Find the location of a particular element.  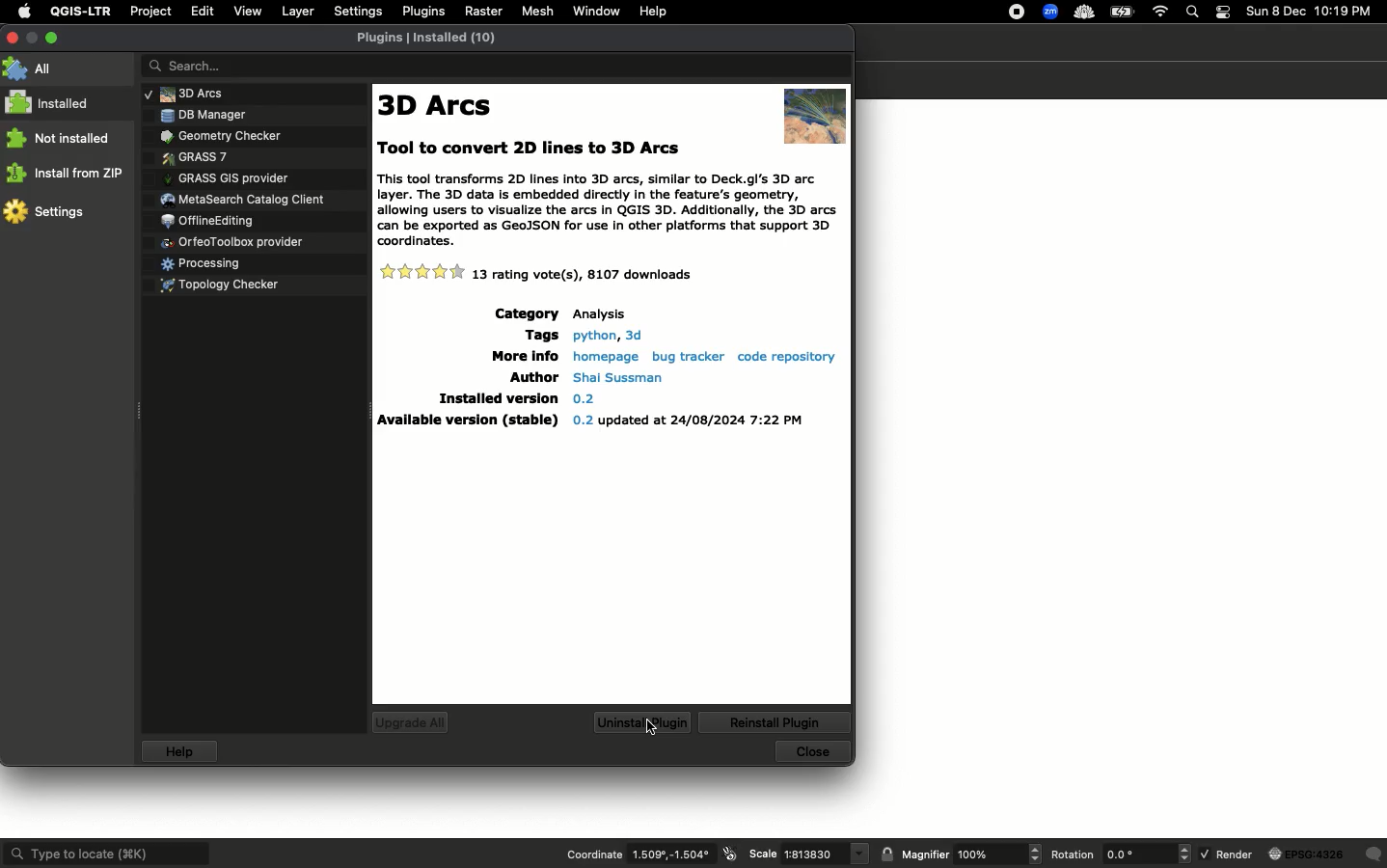

Apple is located at coordinates (24, 10).